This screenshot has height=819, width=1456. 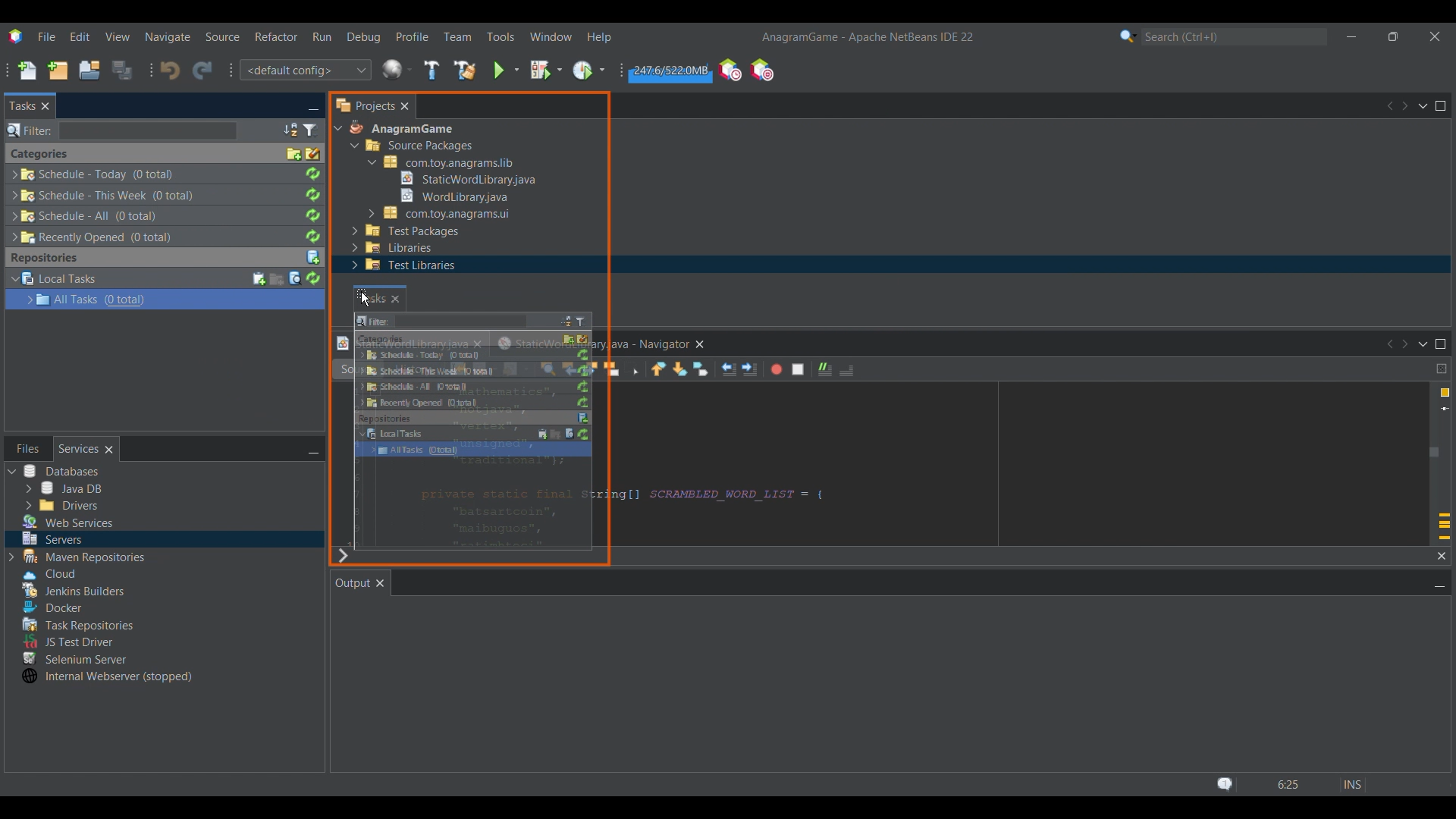 What do you see at coordinates (352, 582) in the screenshot?
I see `Current tab` at bounding box center [352, 582].